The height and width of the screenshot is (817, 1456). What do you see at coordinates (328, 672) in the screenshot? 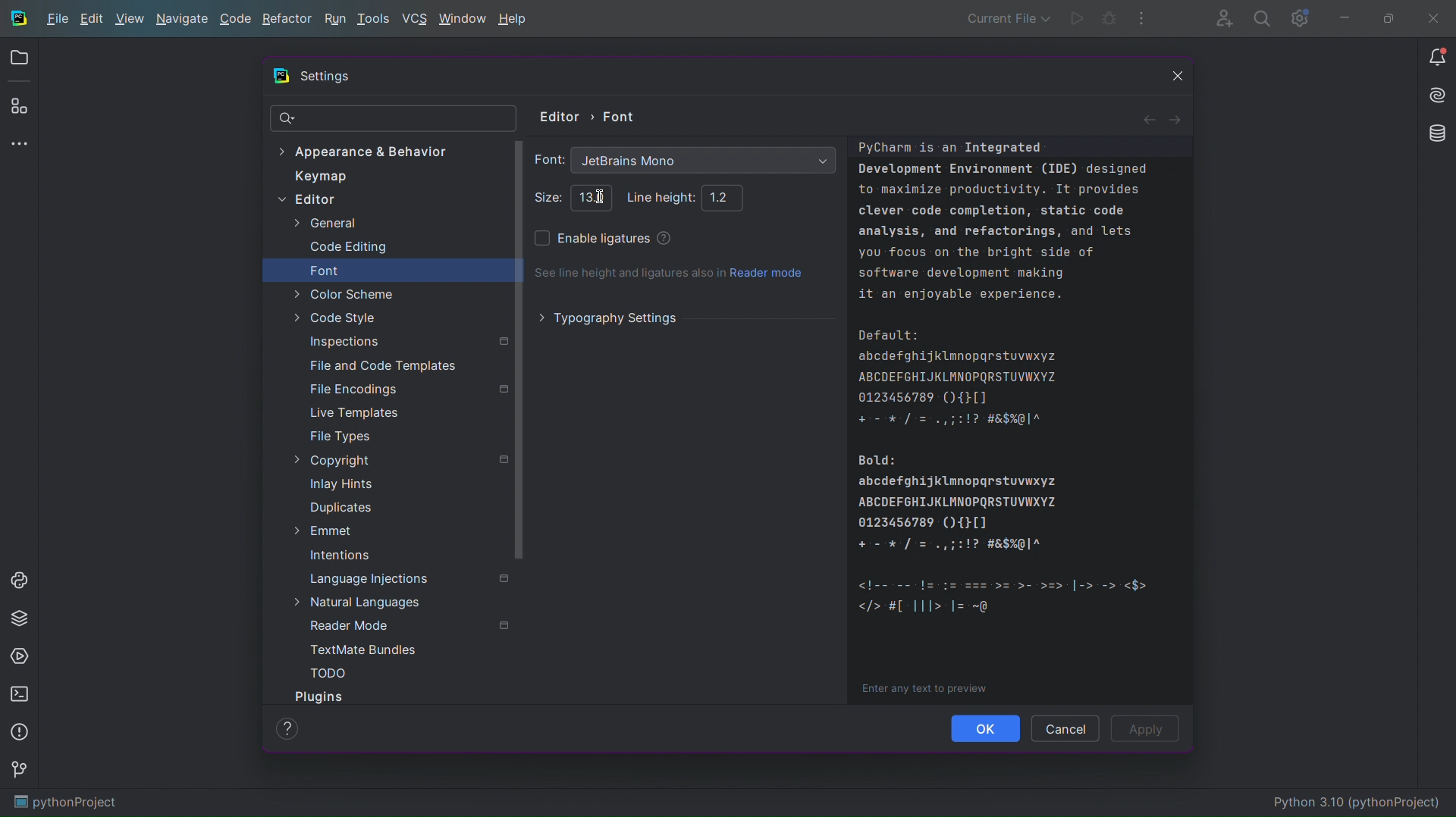
I see `TODO` at bounding box center [328, 672].